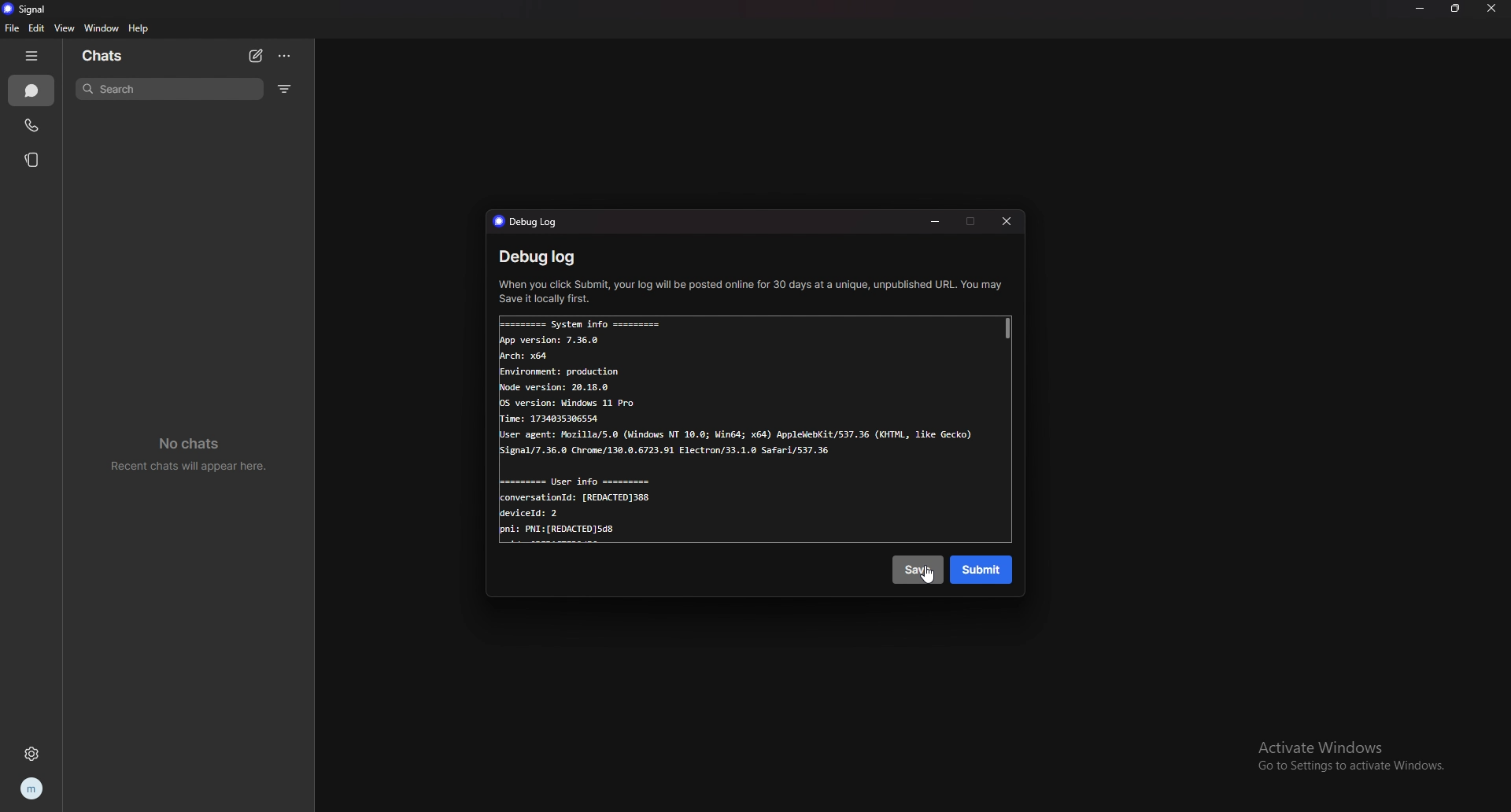 Image resolution: width=1511 pixels, height=812 pixels. I want to click on filter, so click(286, 88).